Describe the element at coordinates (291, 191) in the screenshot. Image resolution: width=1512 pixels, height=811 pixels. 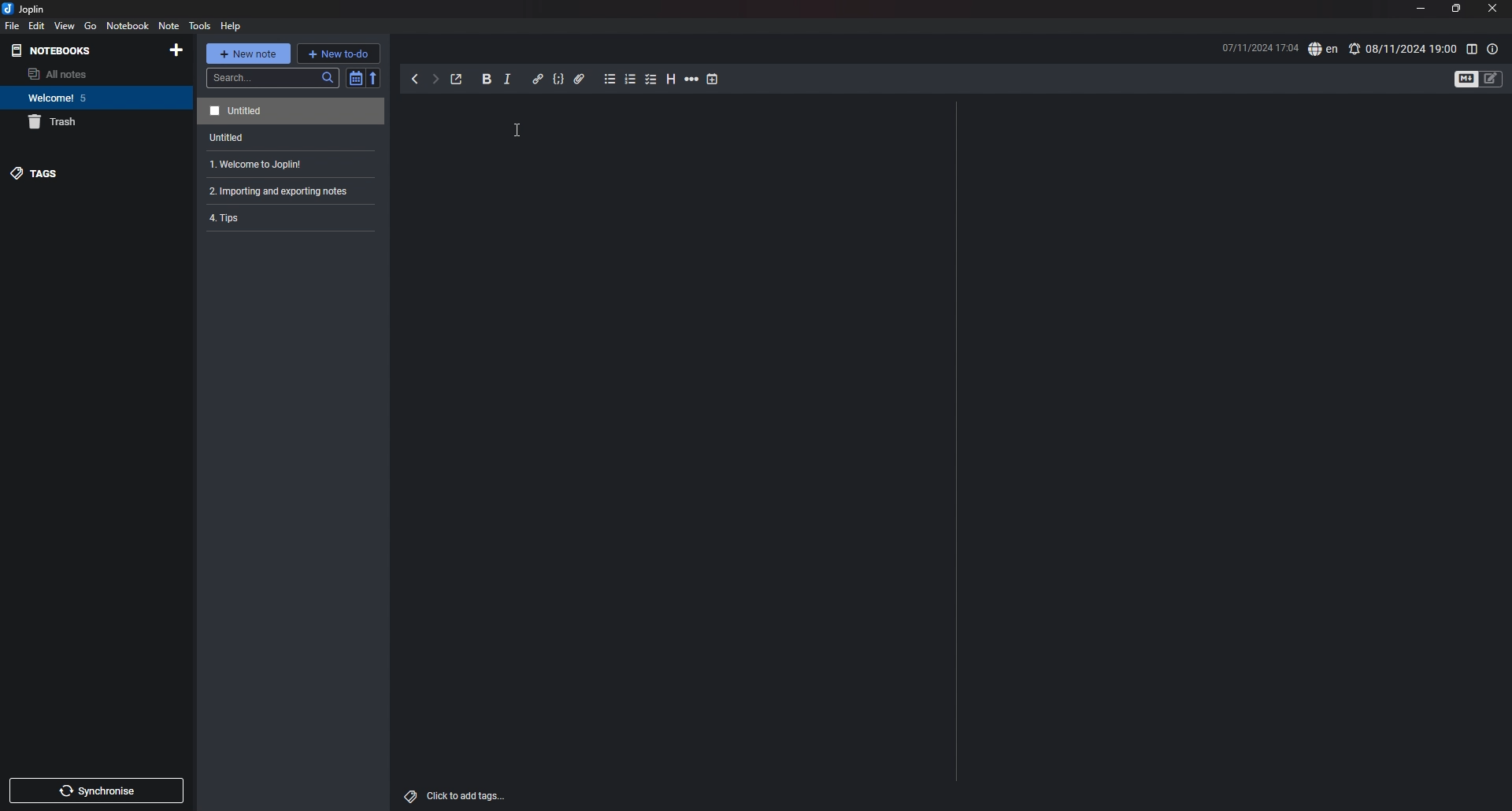
I see `note` at that location.